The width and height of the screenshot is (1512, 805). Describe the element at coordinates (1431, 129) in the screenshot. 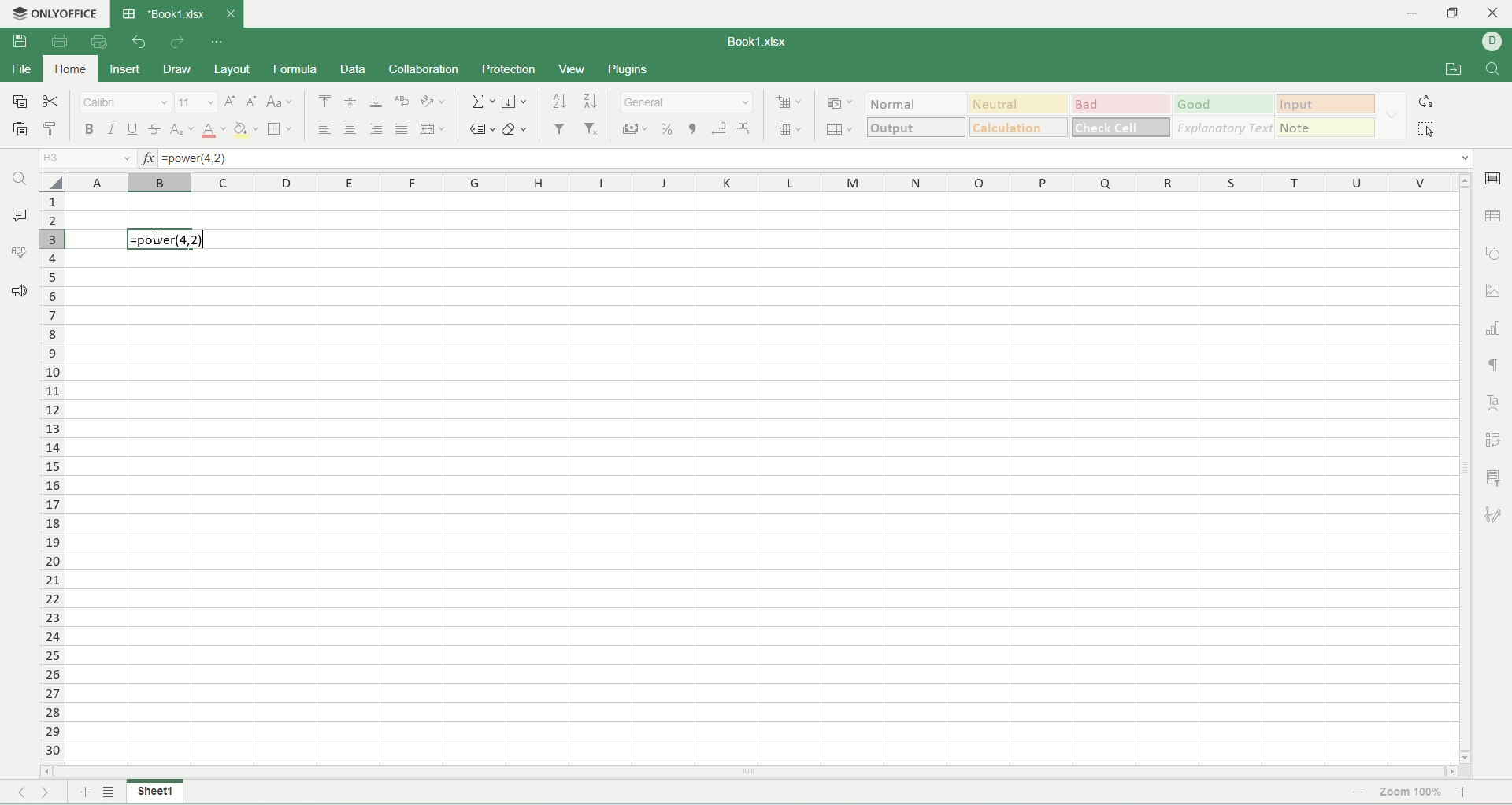

I see `select all` at that location.